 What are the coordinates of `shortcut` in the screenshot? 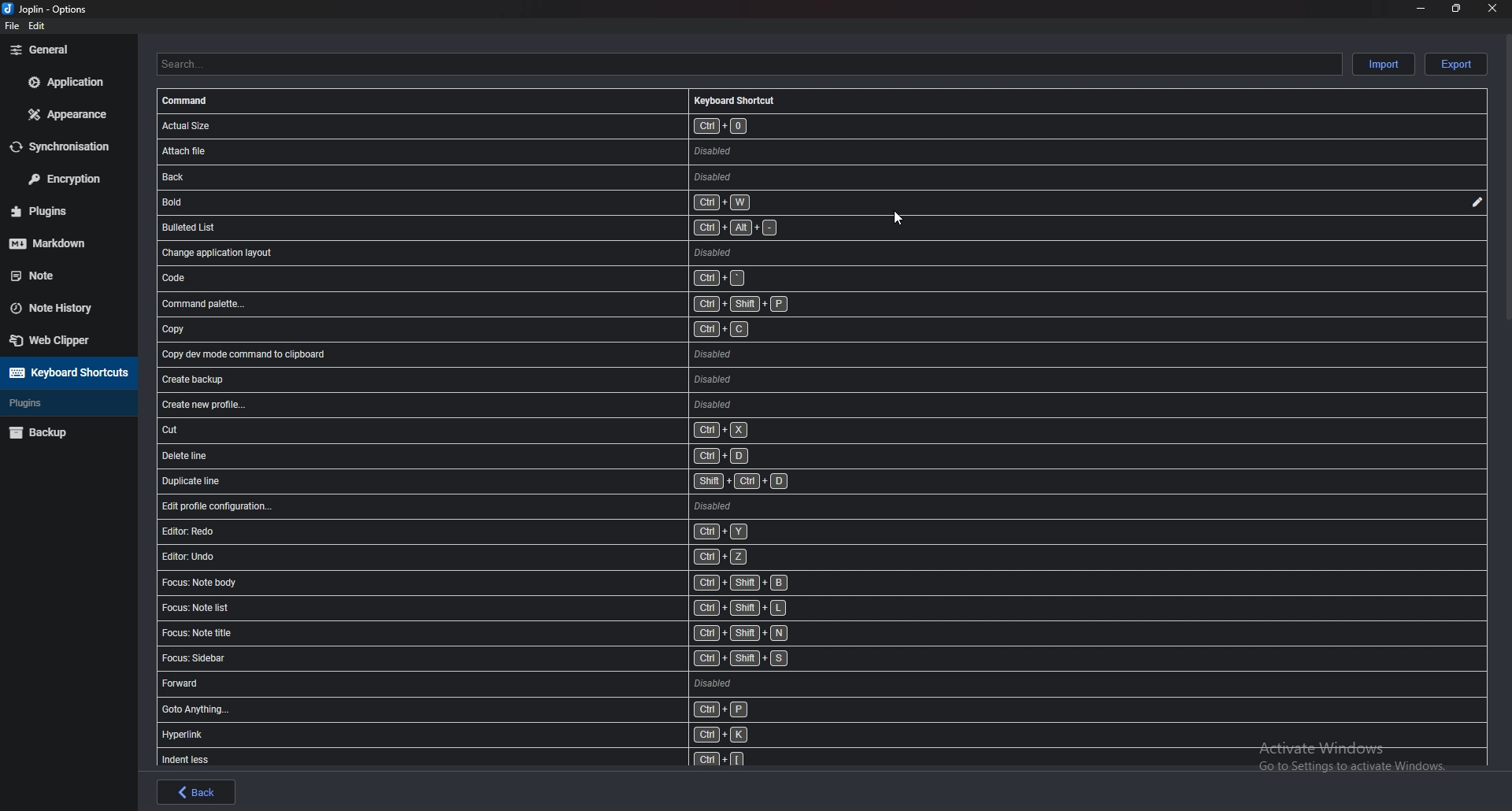 It's located at (529, 481).